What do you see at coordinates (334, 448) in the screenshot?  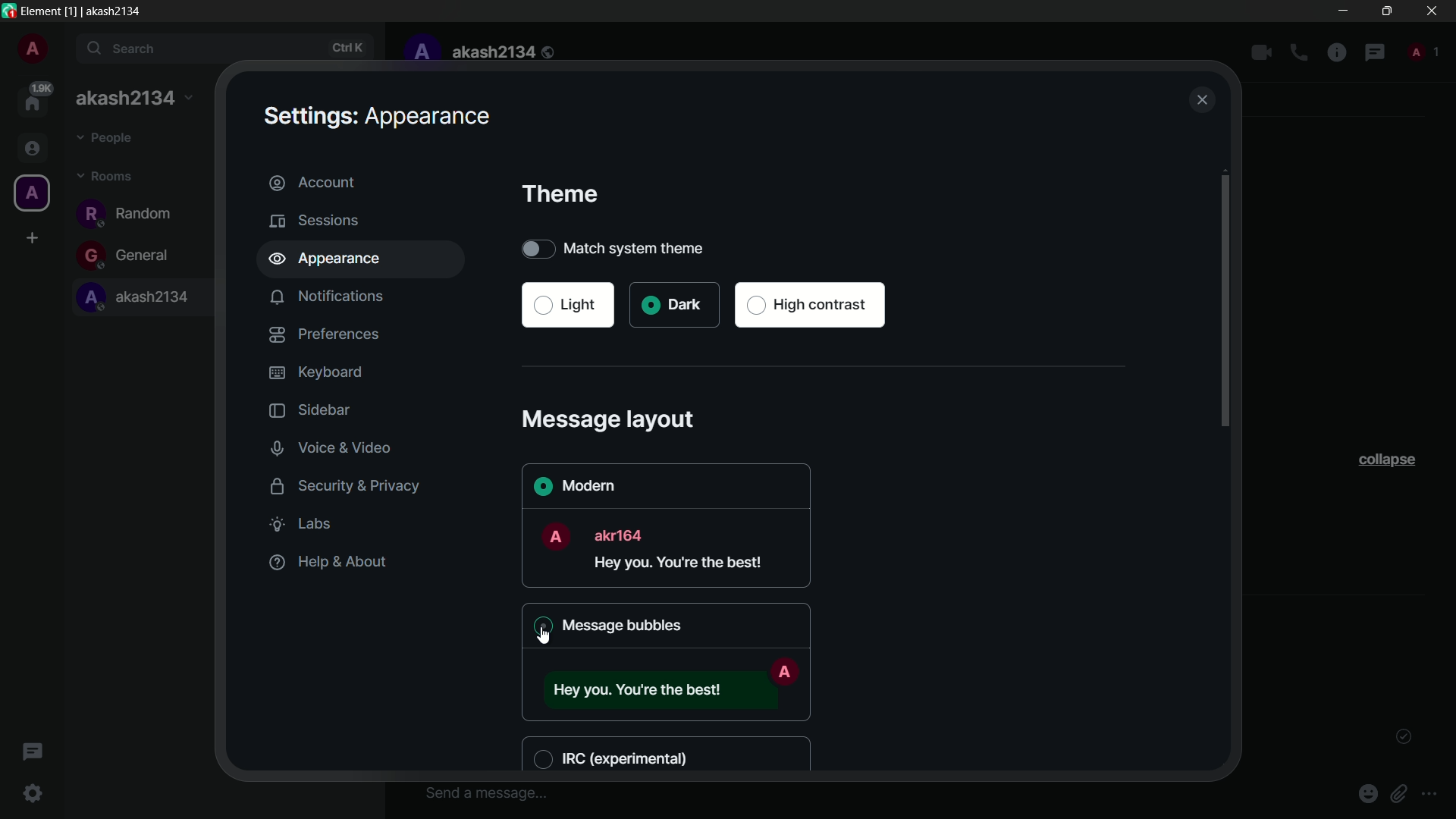 I see `voice and video` at bounding box center [334, 448].